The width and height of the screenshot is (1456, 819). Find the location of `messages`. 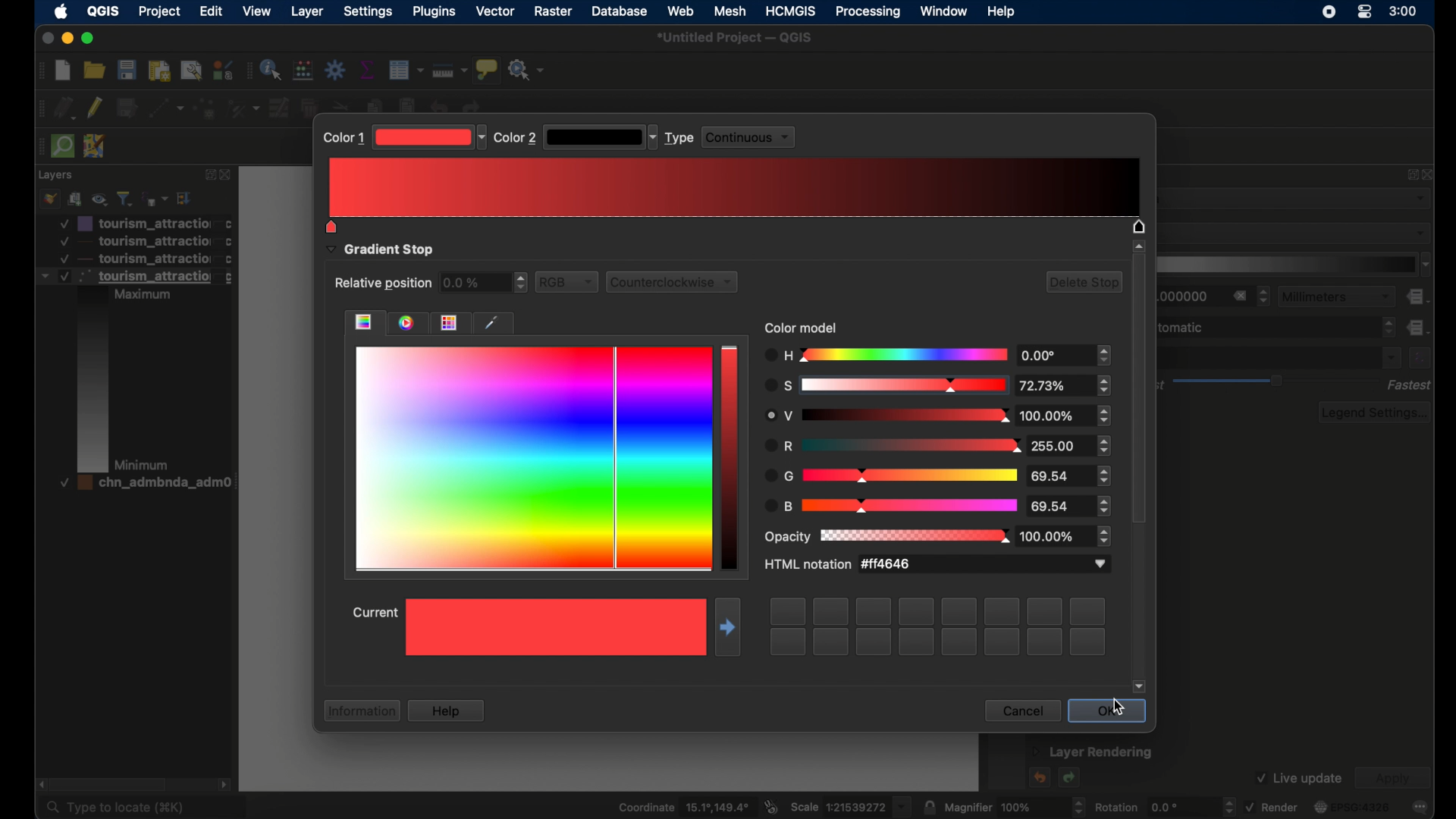

messages is located at coordinates (1421, 808).